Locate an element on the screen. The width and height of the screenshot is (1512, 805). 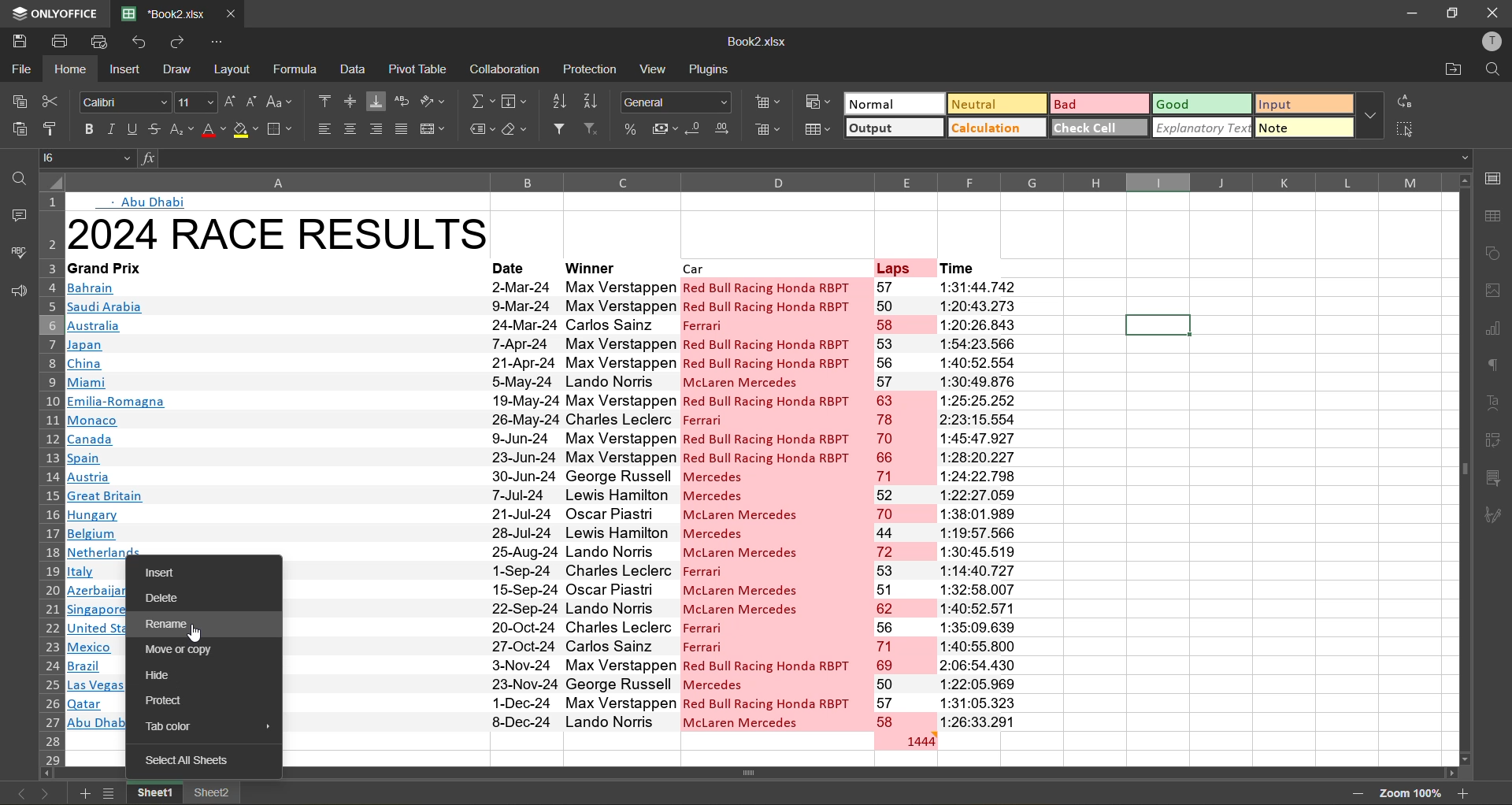
feedback is located at coordinates (16, 295).